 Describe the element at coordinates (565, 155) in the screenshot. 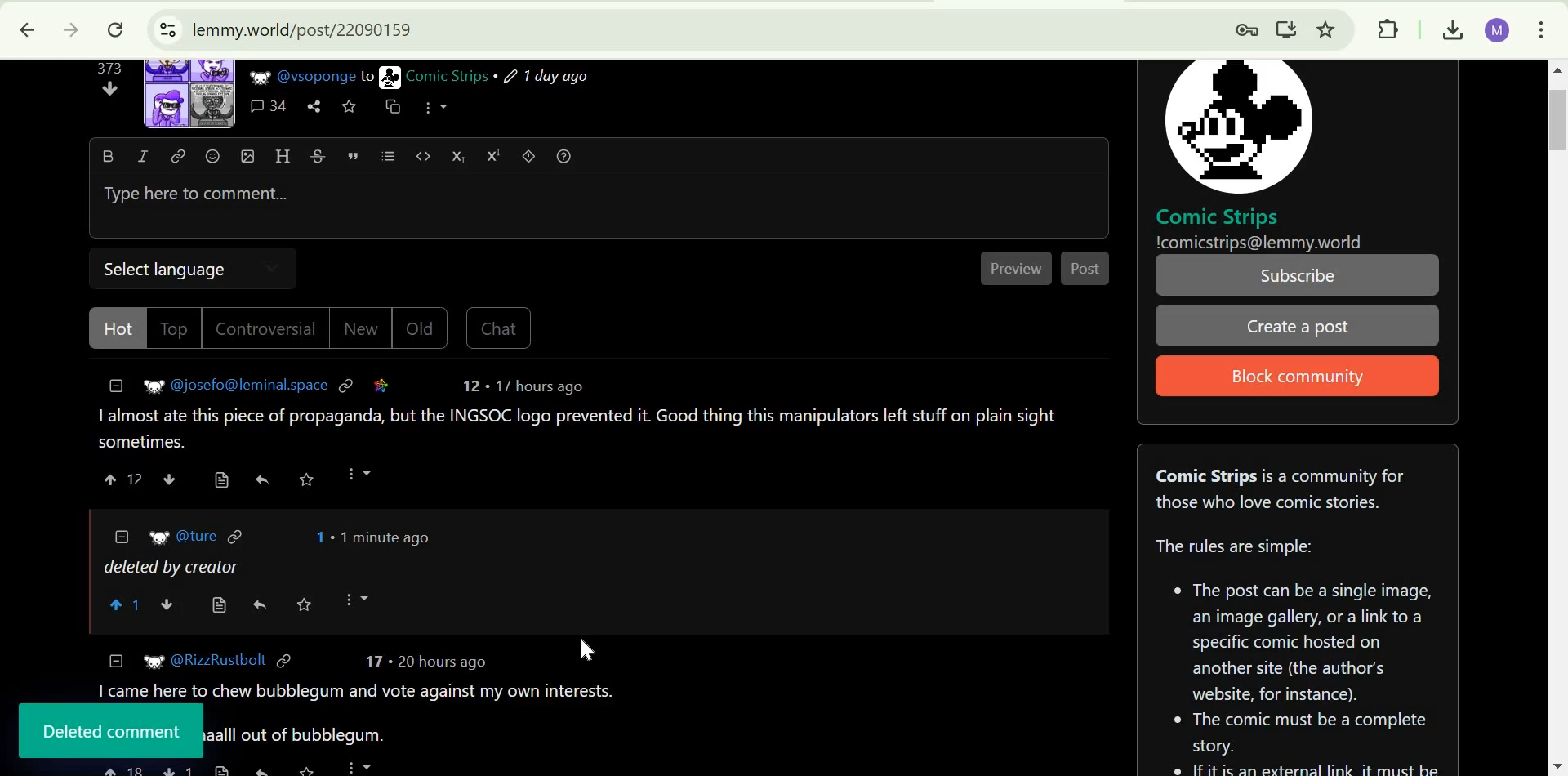

I see `formatting help` at that location.